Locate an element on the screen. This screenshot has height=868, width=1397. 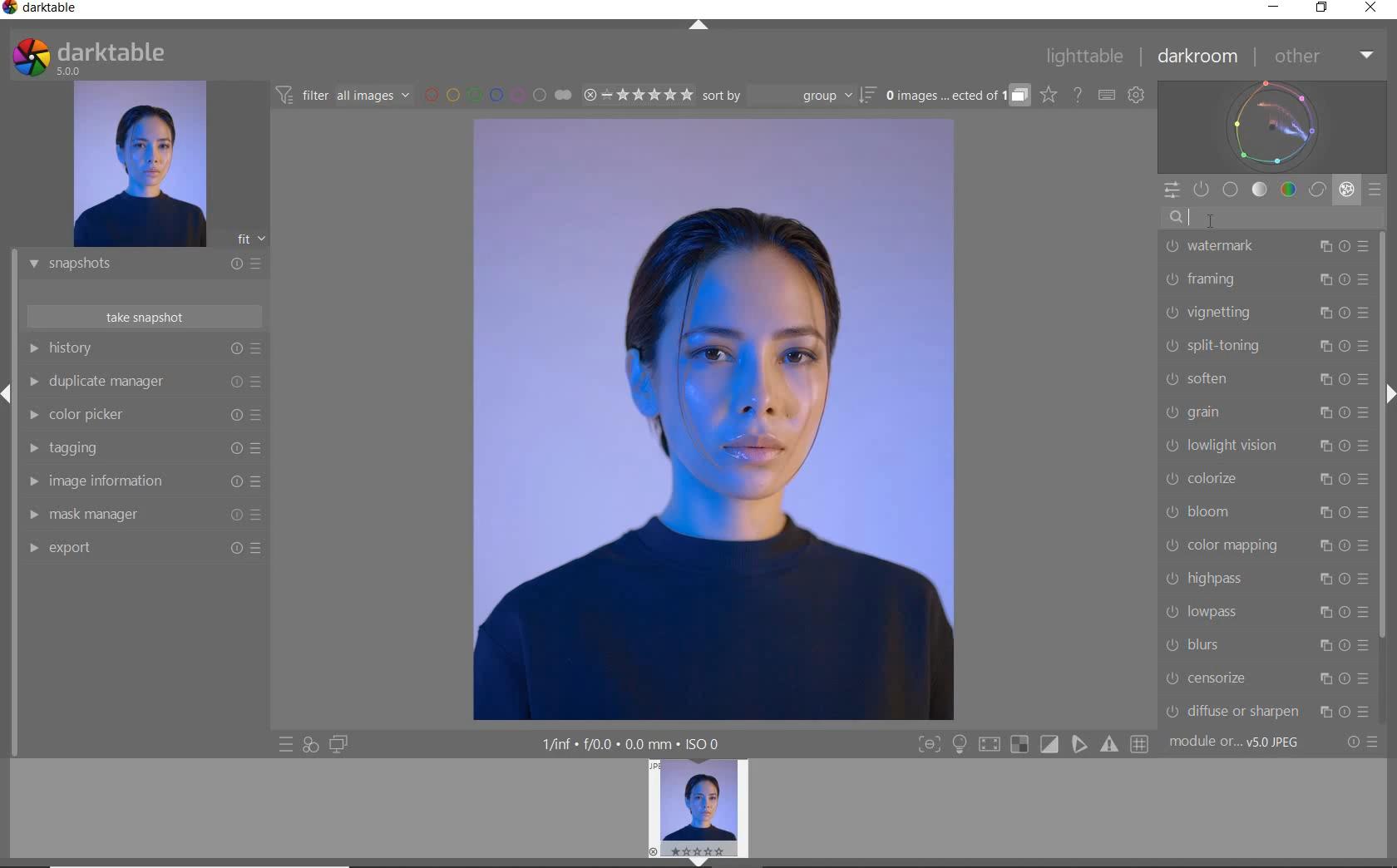
FILTER IMAGES BASED ON THEIR MODULE ORDER is located at coordinates (343, 98).